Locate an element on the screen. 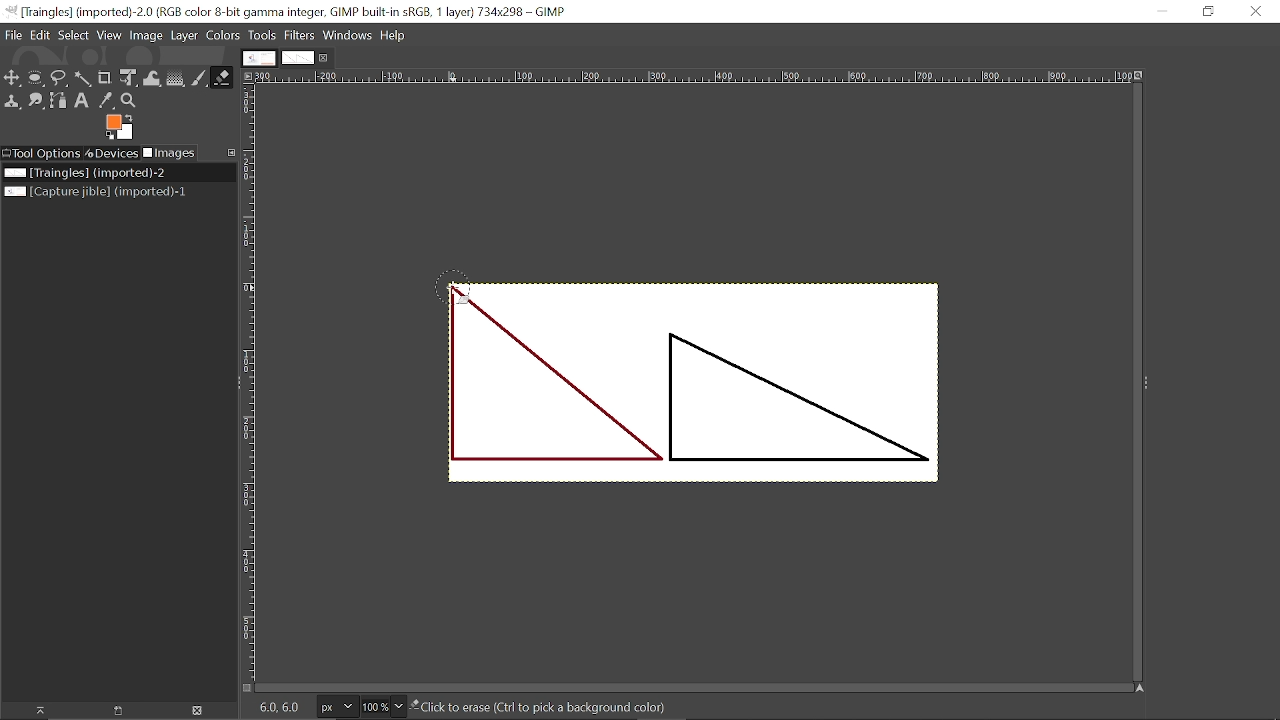 This screenshot has width=1280, height=720. Horizontal label is located at coordinates (696, 78).